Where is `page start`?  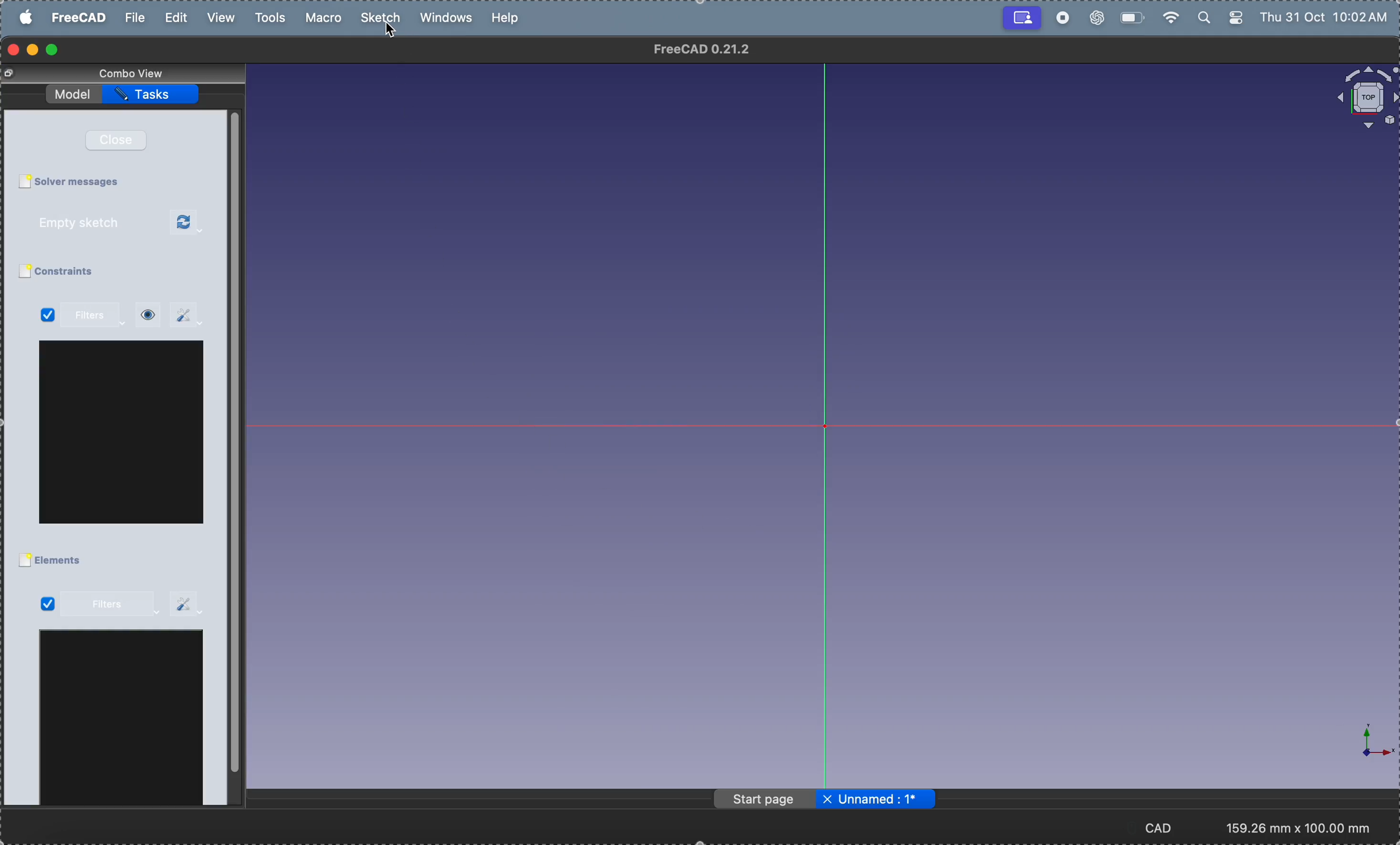 page start is located at coordinates (766, 800).